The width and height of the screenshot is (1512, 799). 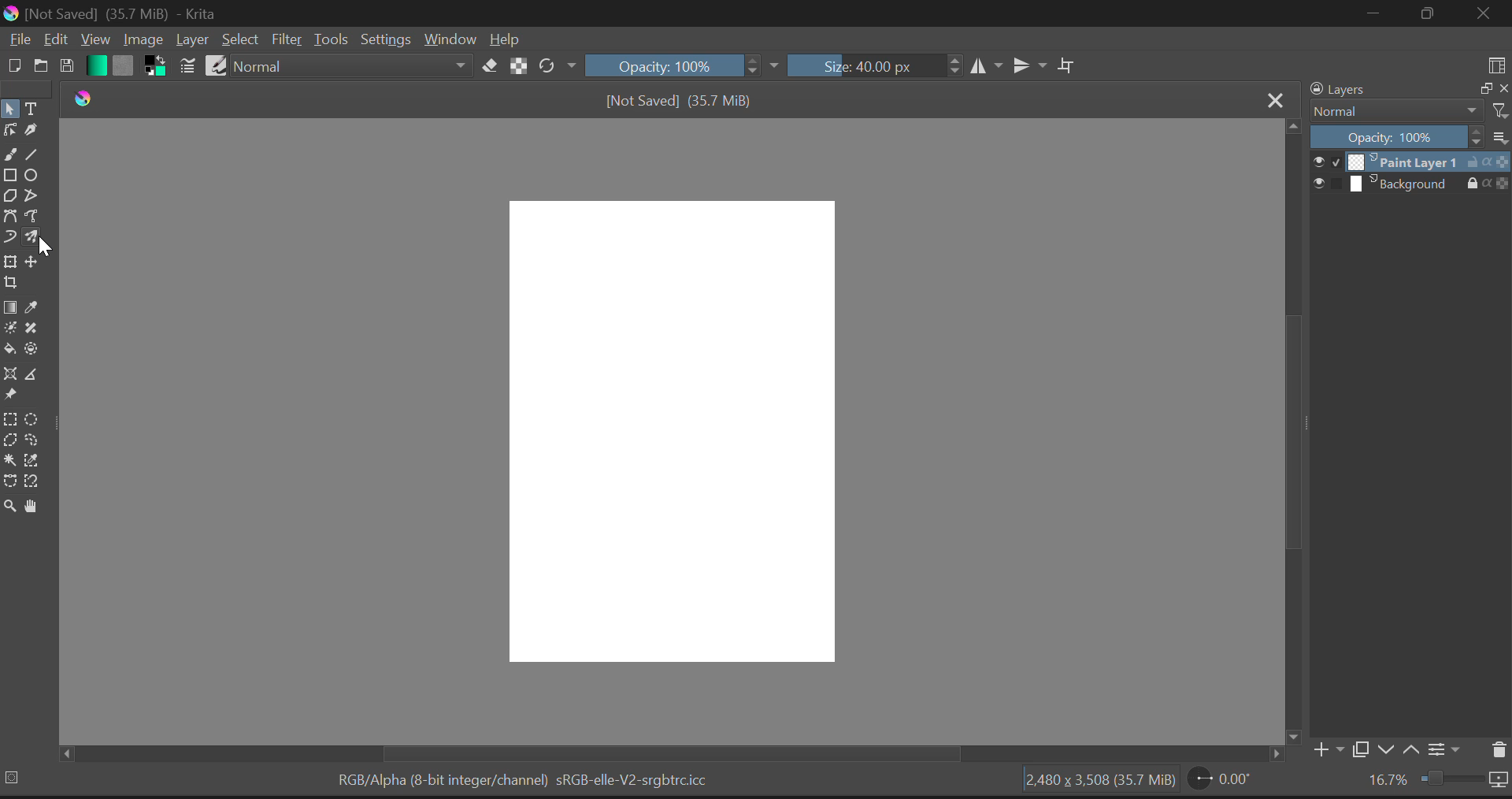 I want to click on Select, so click(x=9, y=109).